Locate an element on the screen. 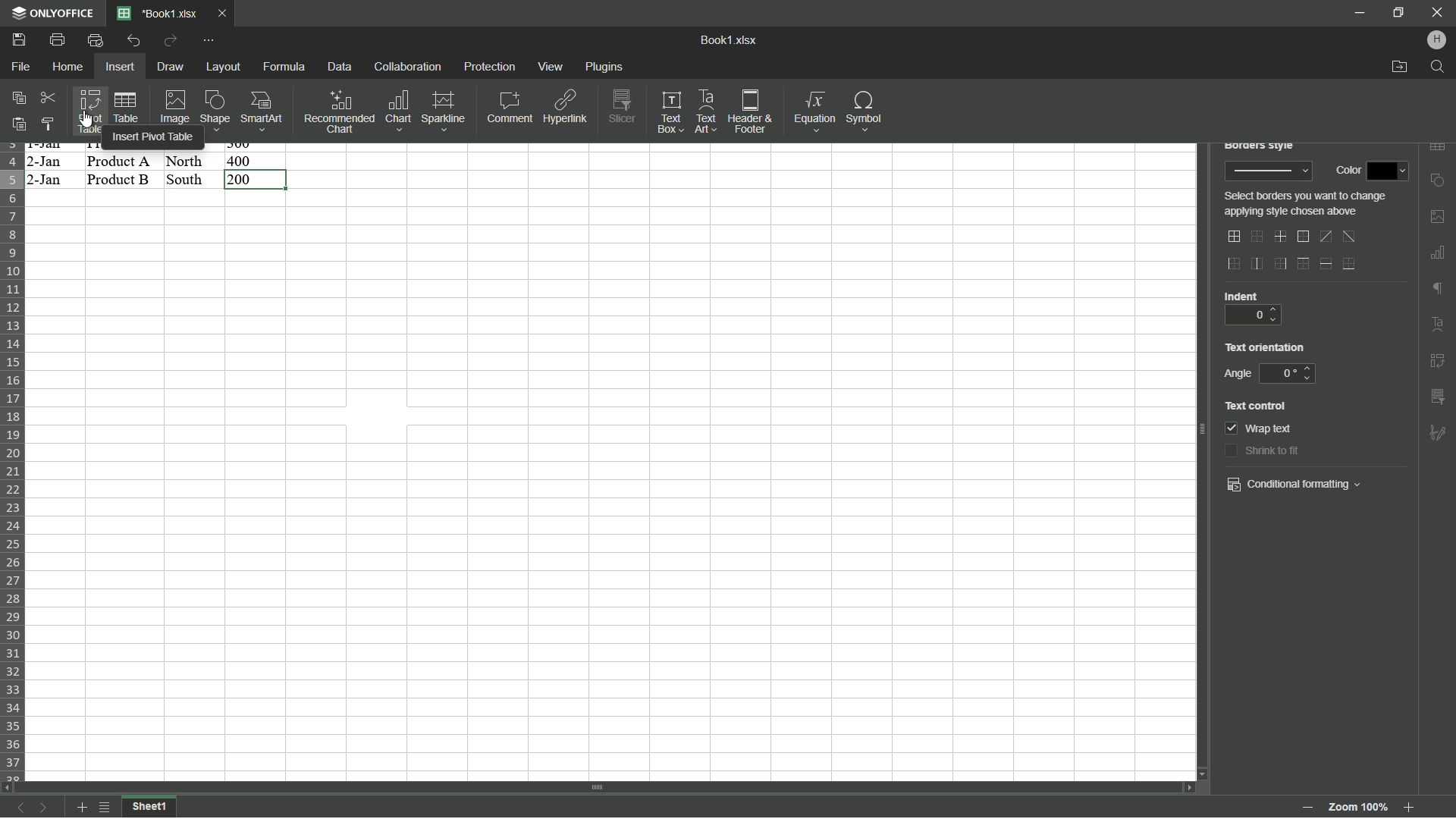 Image resolution: width=1456 pixels, height=819 pixels. Slicer is located at coordinates (622, 106).